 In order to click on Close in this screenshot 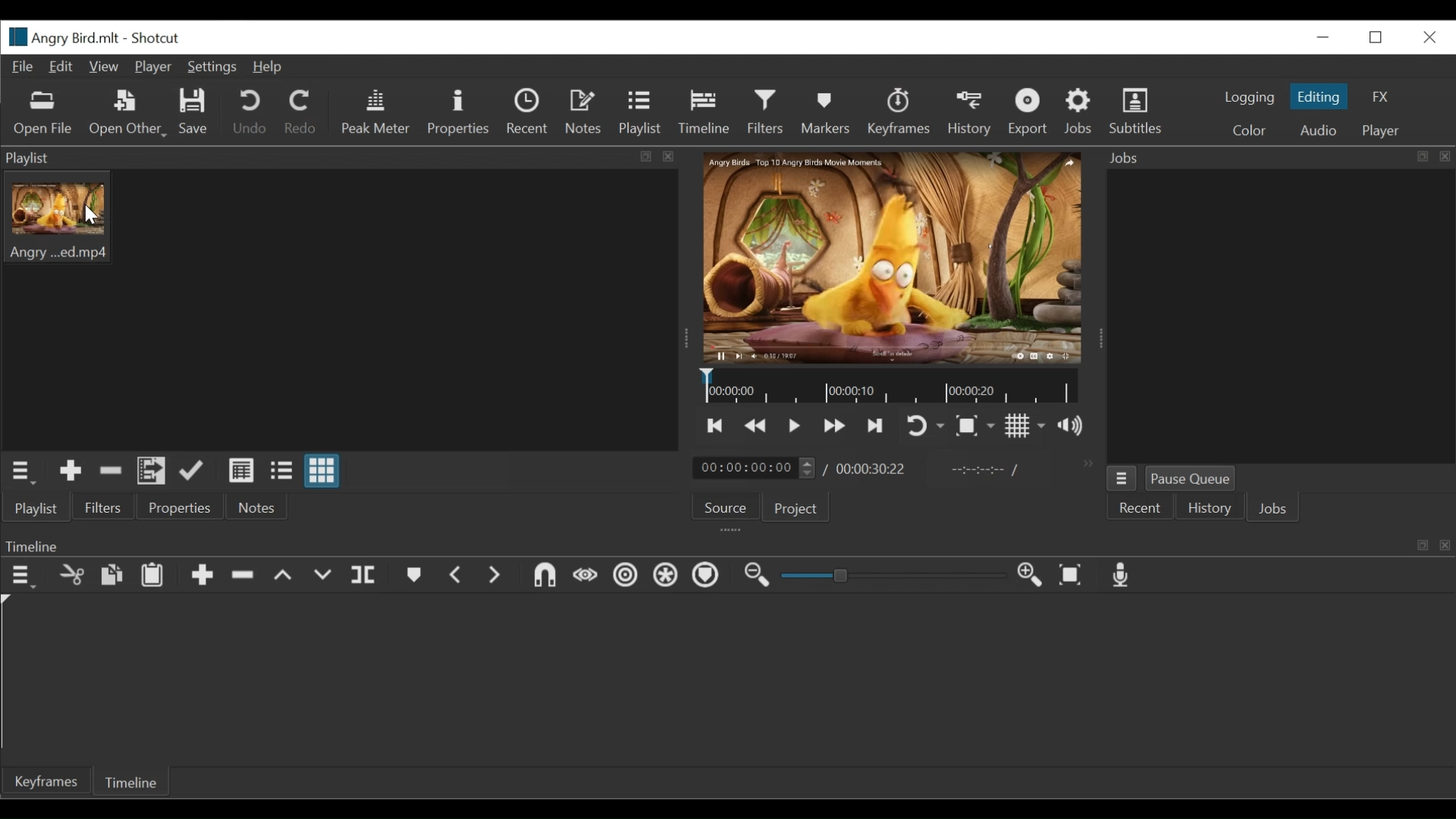, I will do `click(1428, 37)`.